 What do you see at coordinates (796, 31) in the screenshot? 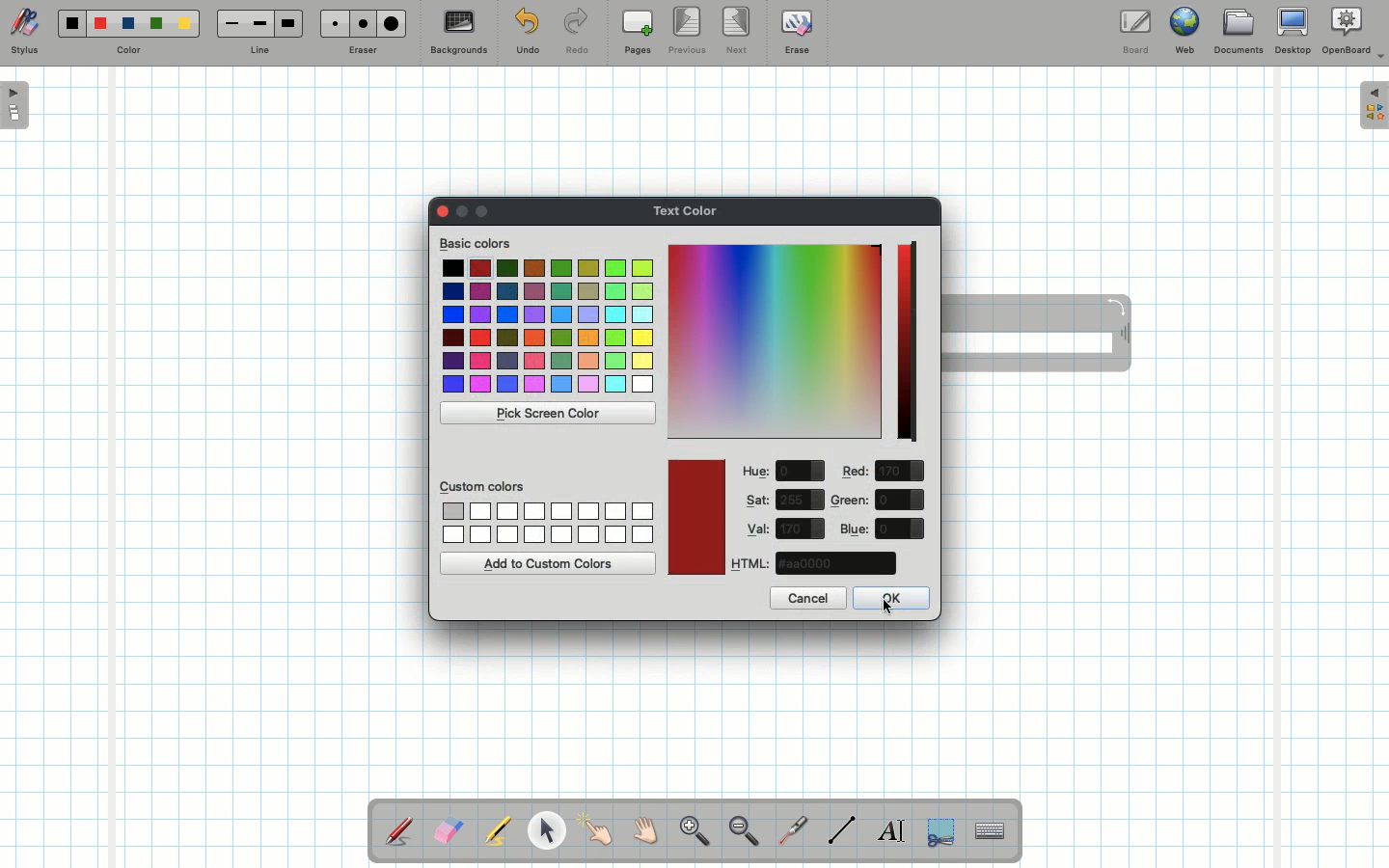
I see `Erase` at bounding box center [796, 31].